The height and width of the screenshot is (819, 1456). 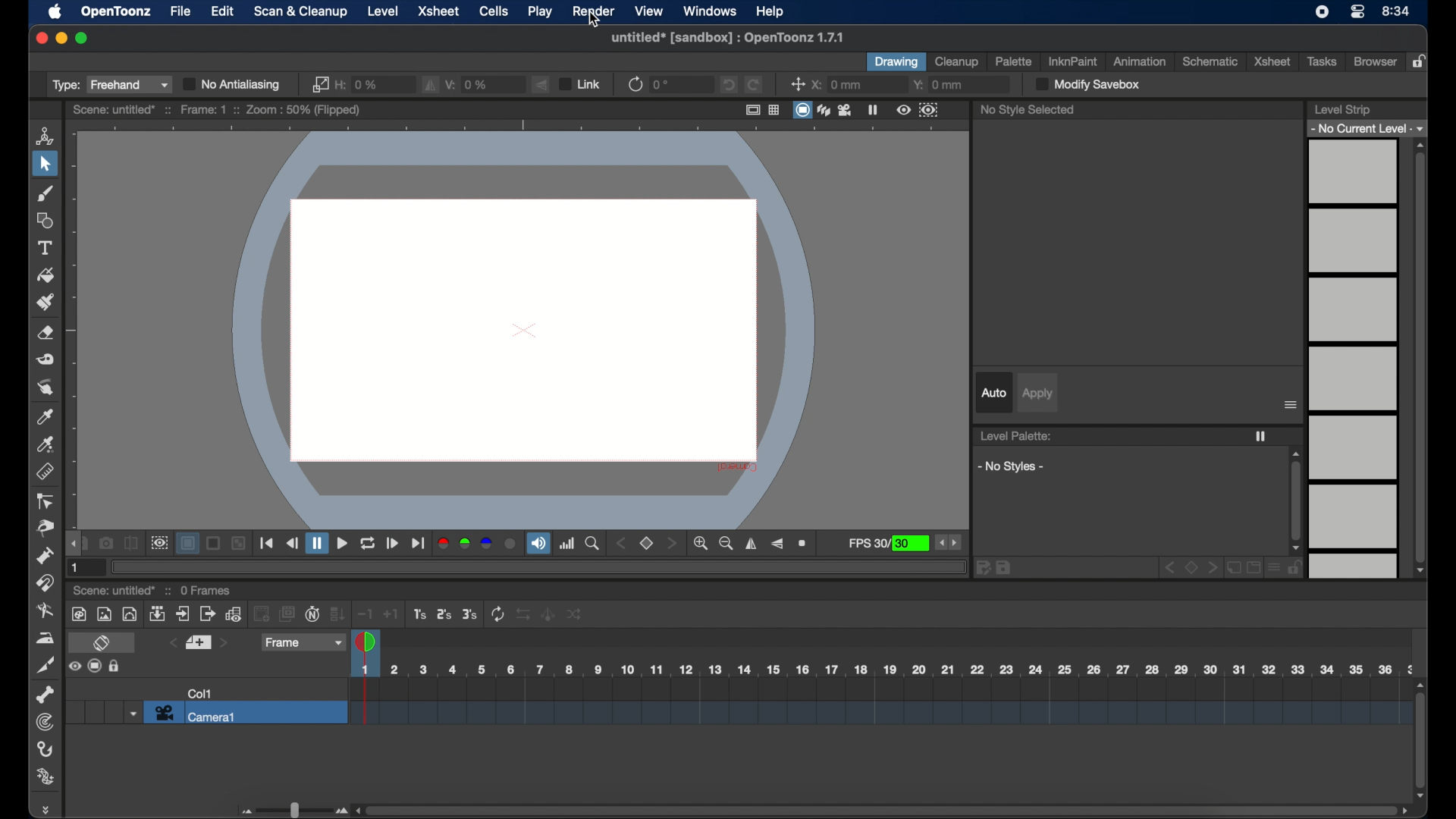 What do you see at coordinates (1012, 466) in the screenshot?
I see `no styles` at bounding box center [1012, 466].